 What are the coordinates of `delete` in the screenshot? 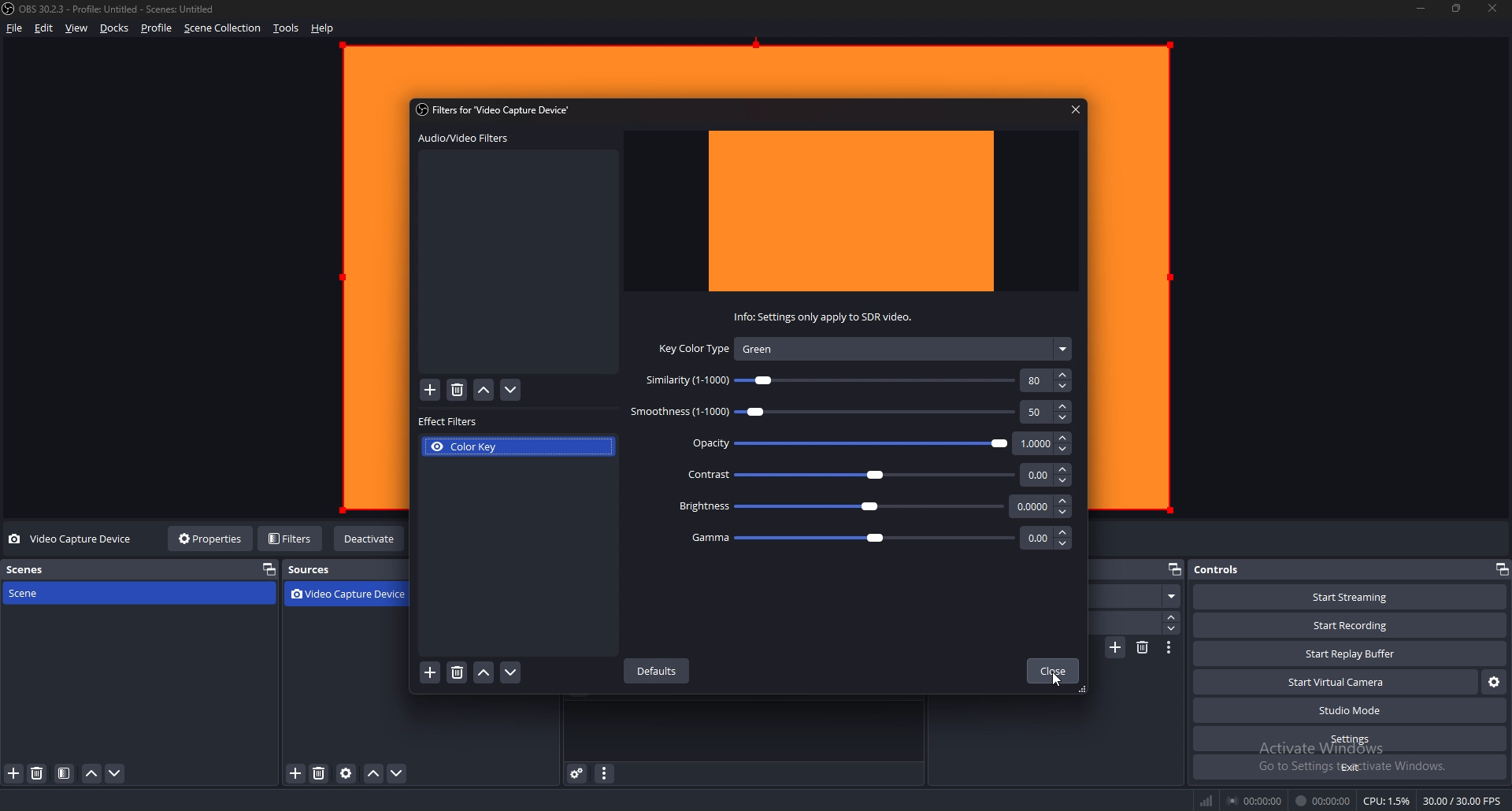 It's located at (458, 391).